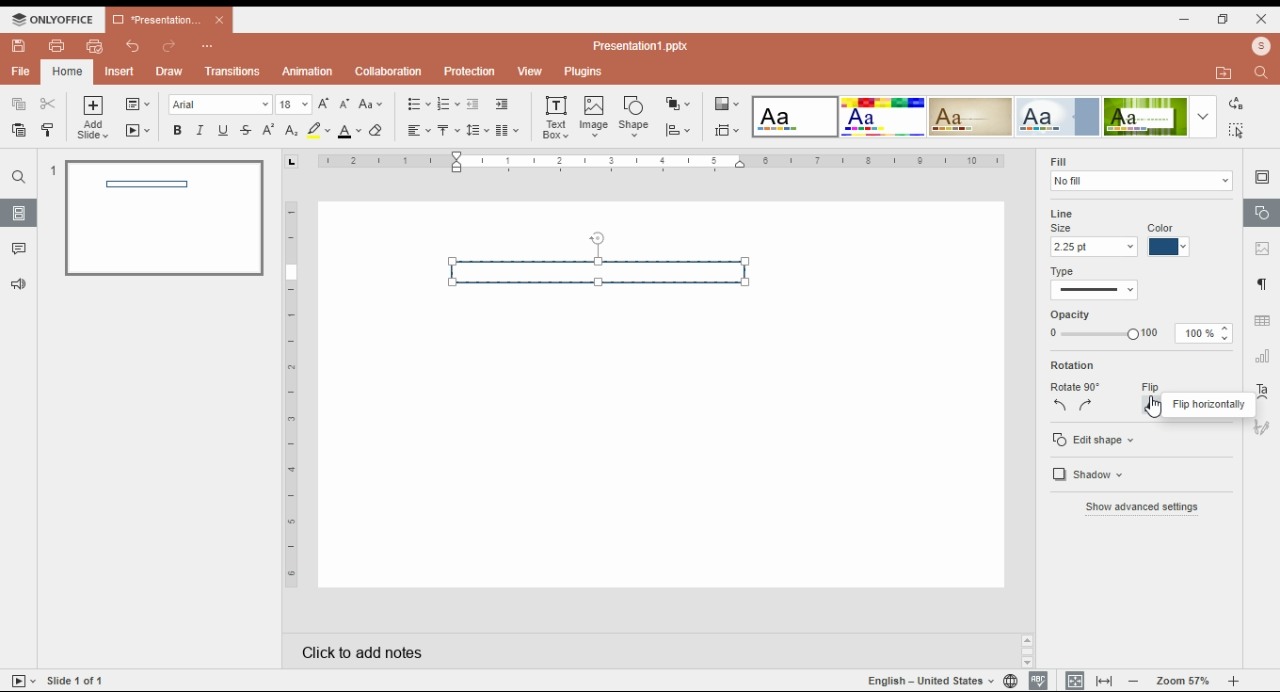 The image size is (1280, 692). I want to click on text art settings, so click(1262, 391).